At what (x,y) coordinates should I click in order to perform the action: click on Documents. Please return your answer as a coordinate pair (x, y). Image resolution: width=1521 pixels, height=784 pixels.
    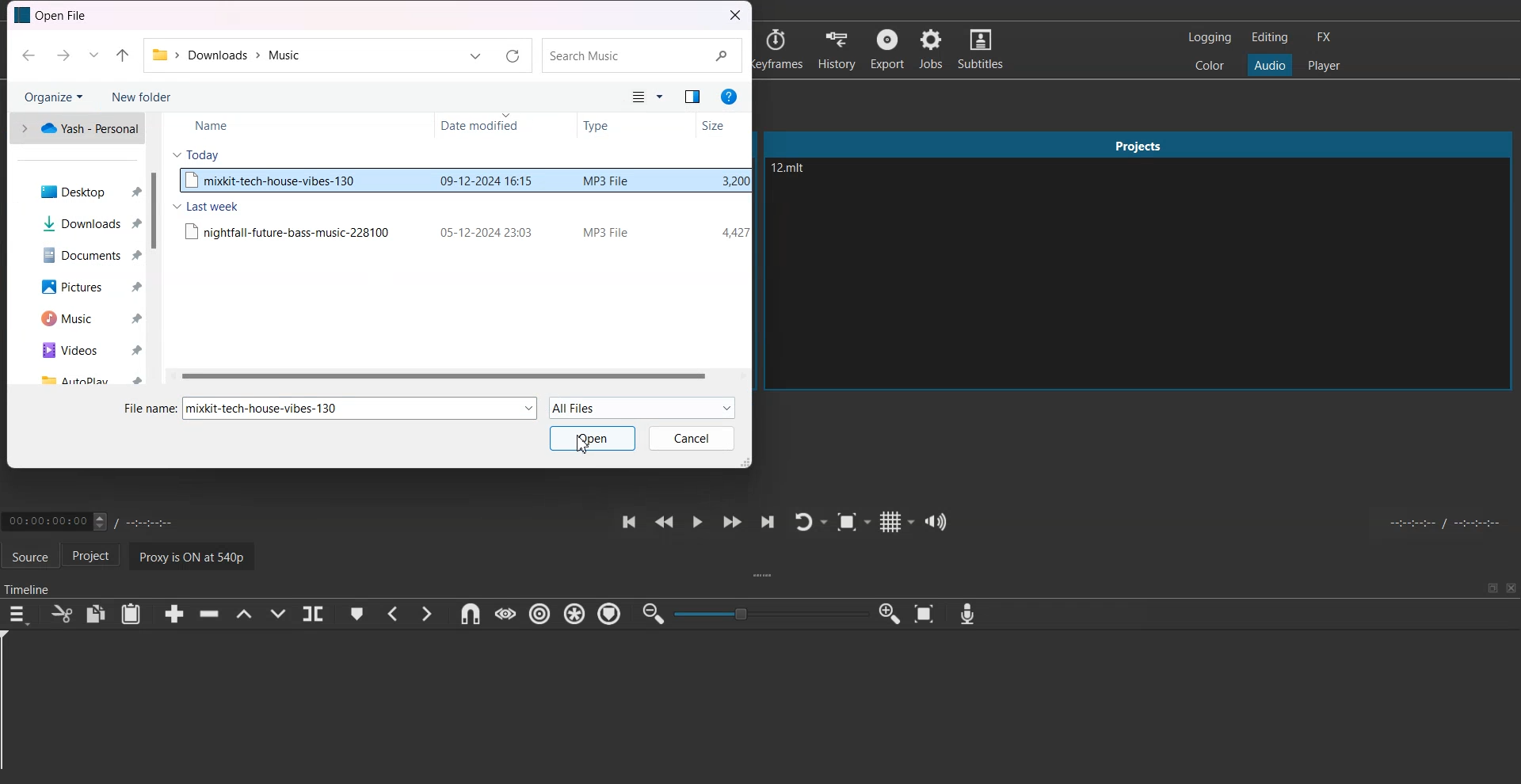
    Looking at the image, I should click on (82, 255).